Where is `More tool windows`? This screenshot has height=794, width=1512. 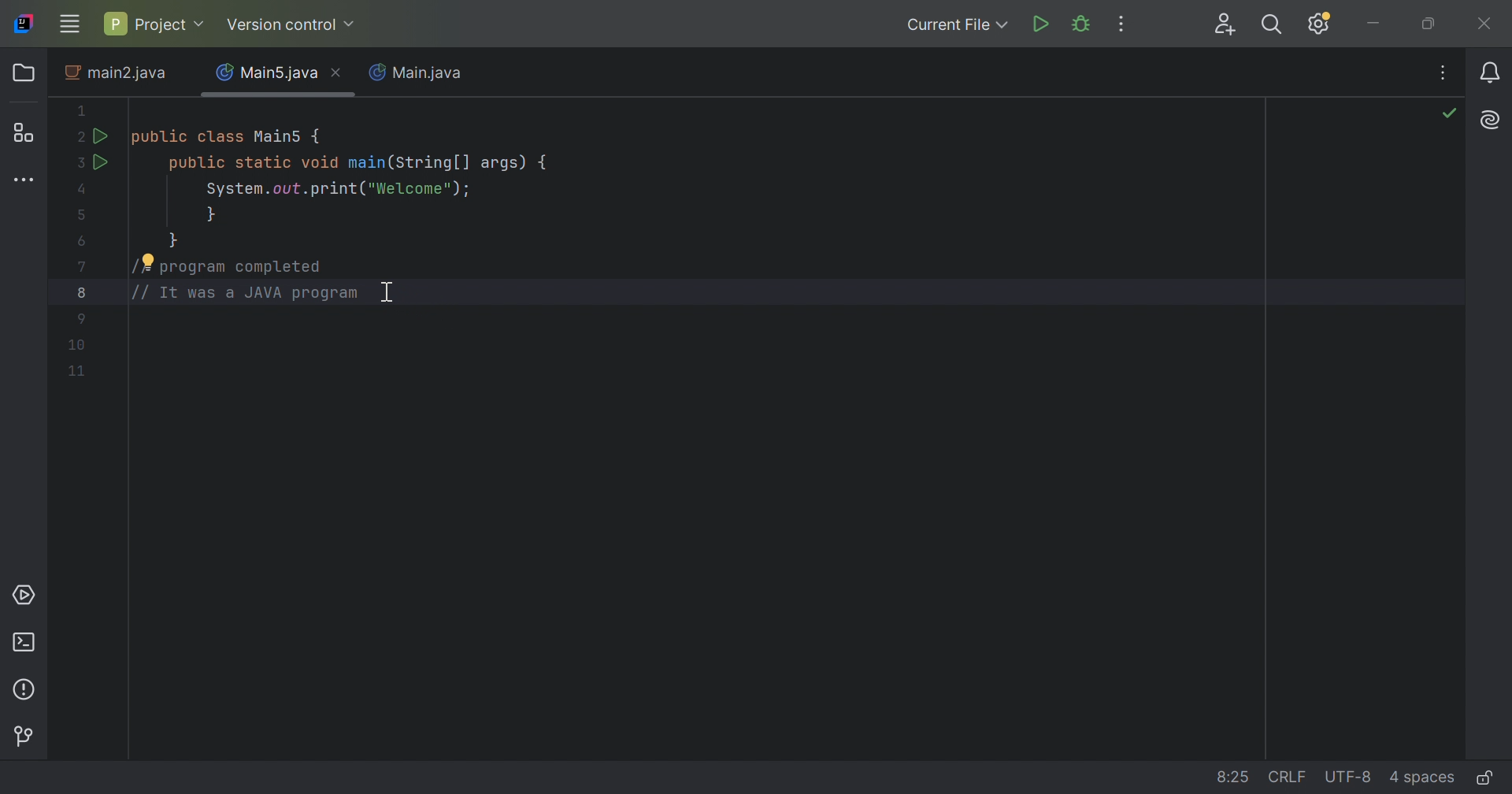
More tool windows is located at coordinates (23, 181).